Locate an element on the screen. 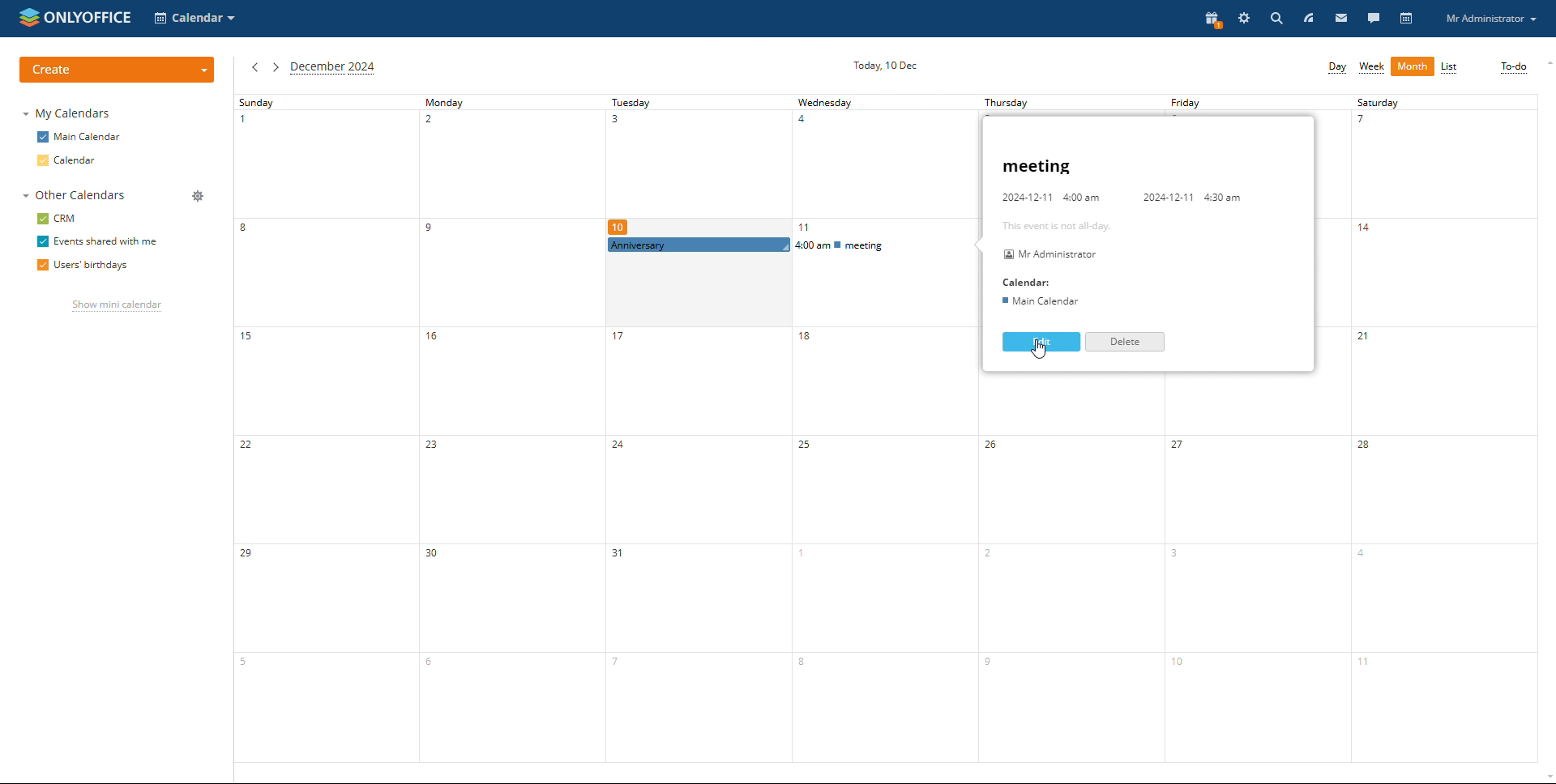 The height and width of the screenshot is (784, 1556). talk is located at coordinates (1372, 19).